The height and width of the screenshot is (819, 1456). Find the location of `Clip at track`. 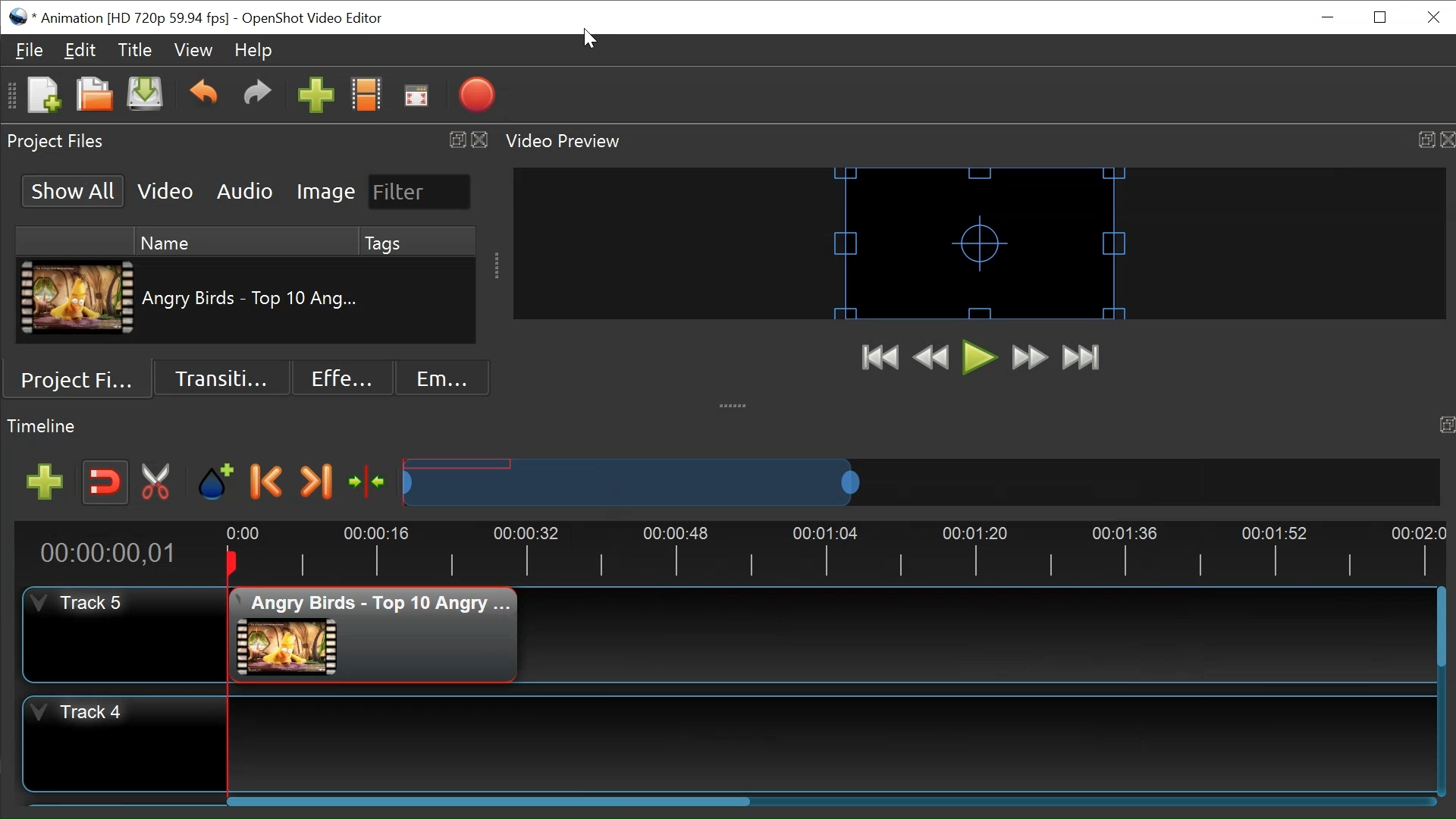

Clip at track is located at coordinates (375, 635).